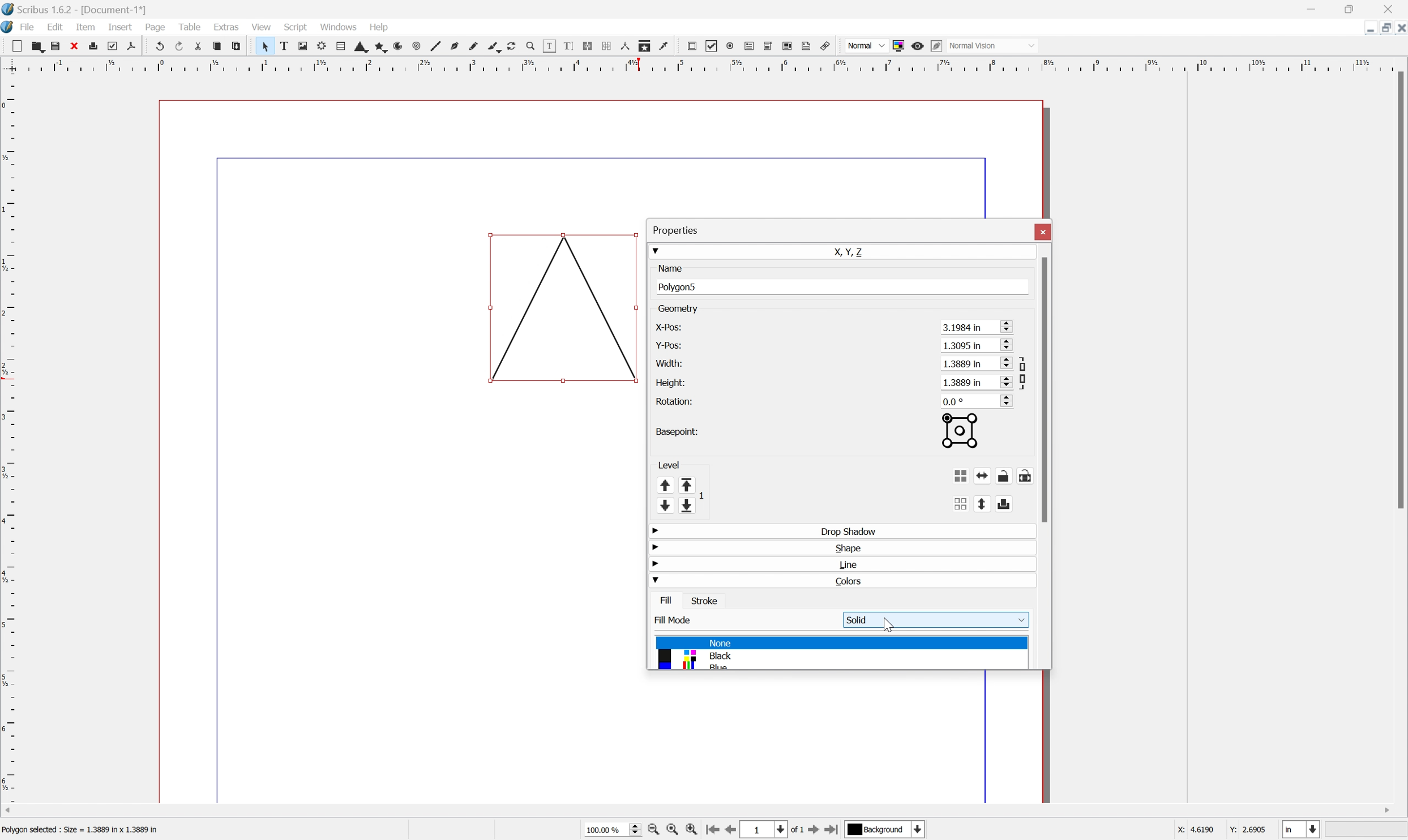 This screenshot has width=1408, height=840. Describe the element at coordinates (667, 46) in the screenshot. I see `Eye dropper` at that location.